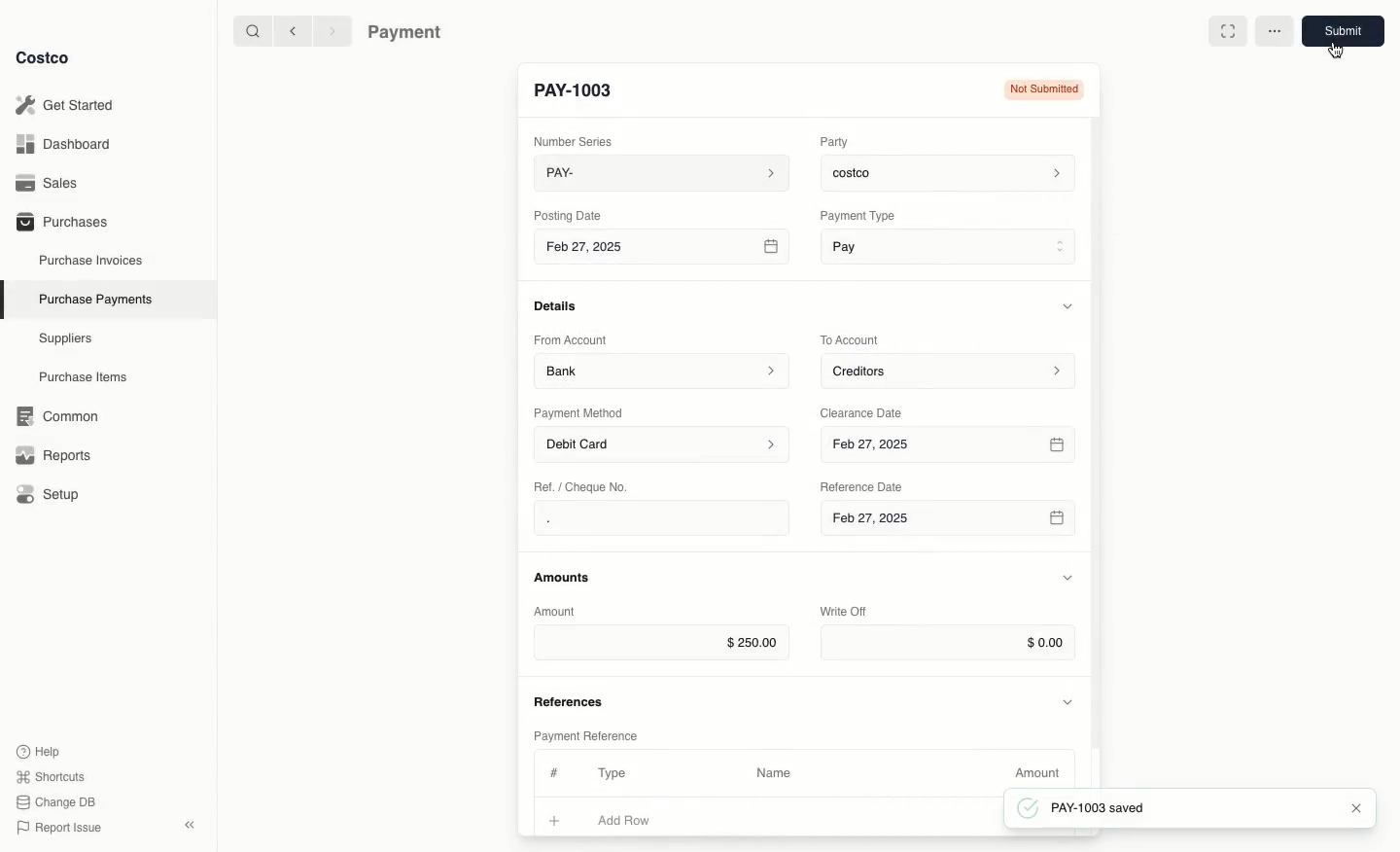 The image size is (1400, 852). What do you see at coordinates (61, 221) in the screenshot?
I see `Purchases` at bounding box center [61, 221].